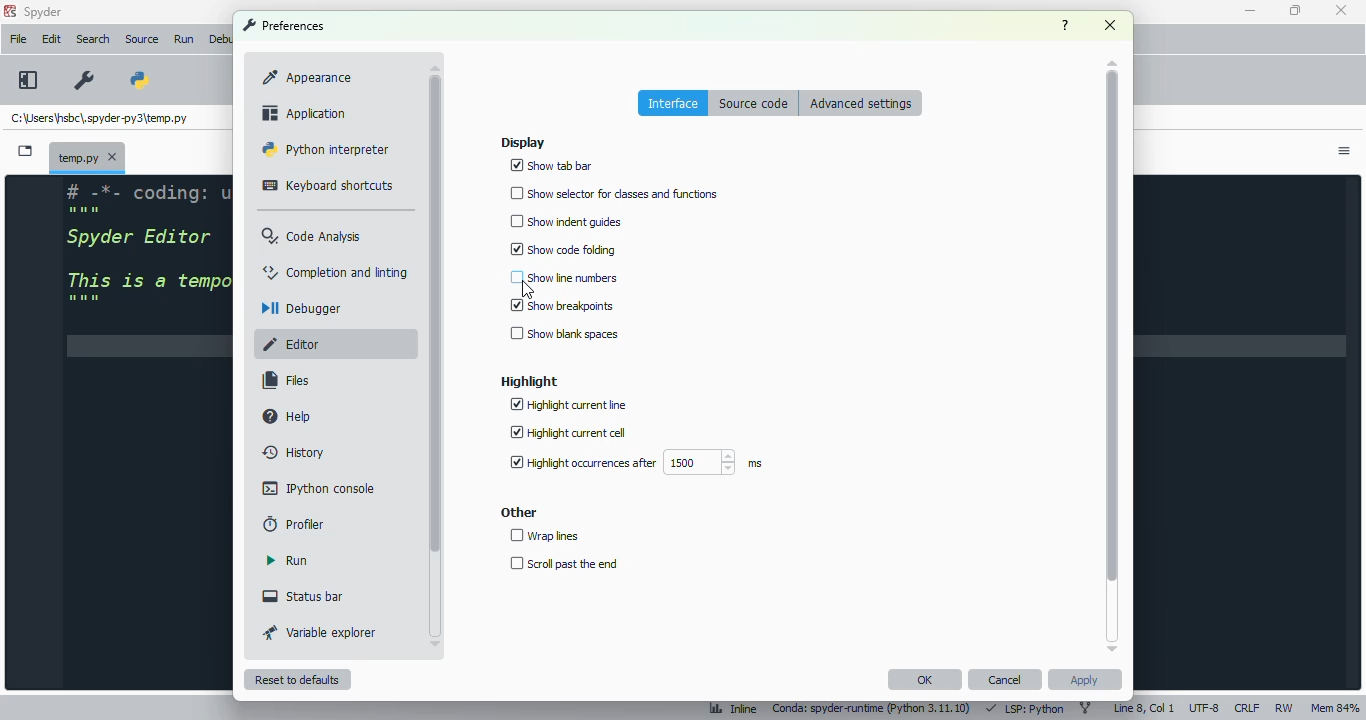  What do you see at coordinates (320, 633) in the screenshot?
I see `variable explorer` at bounding box center [320, 633].